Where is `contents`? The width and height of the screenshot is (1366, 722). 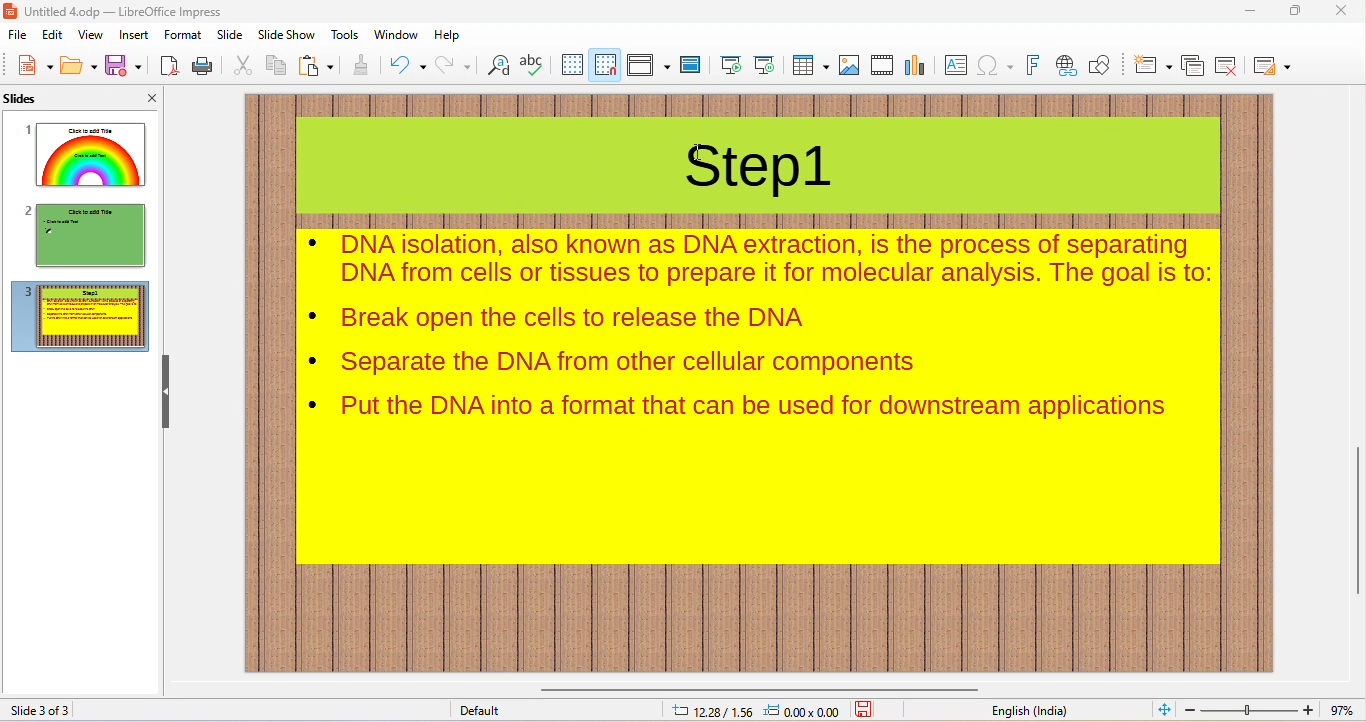
contents is located at coordinates (753, 338).